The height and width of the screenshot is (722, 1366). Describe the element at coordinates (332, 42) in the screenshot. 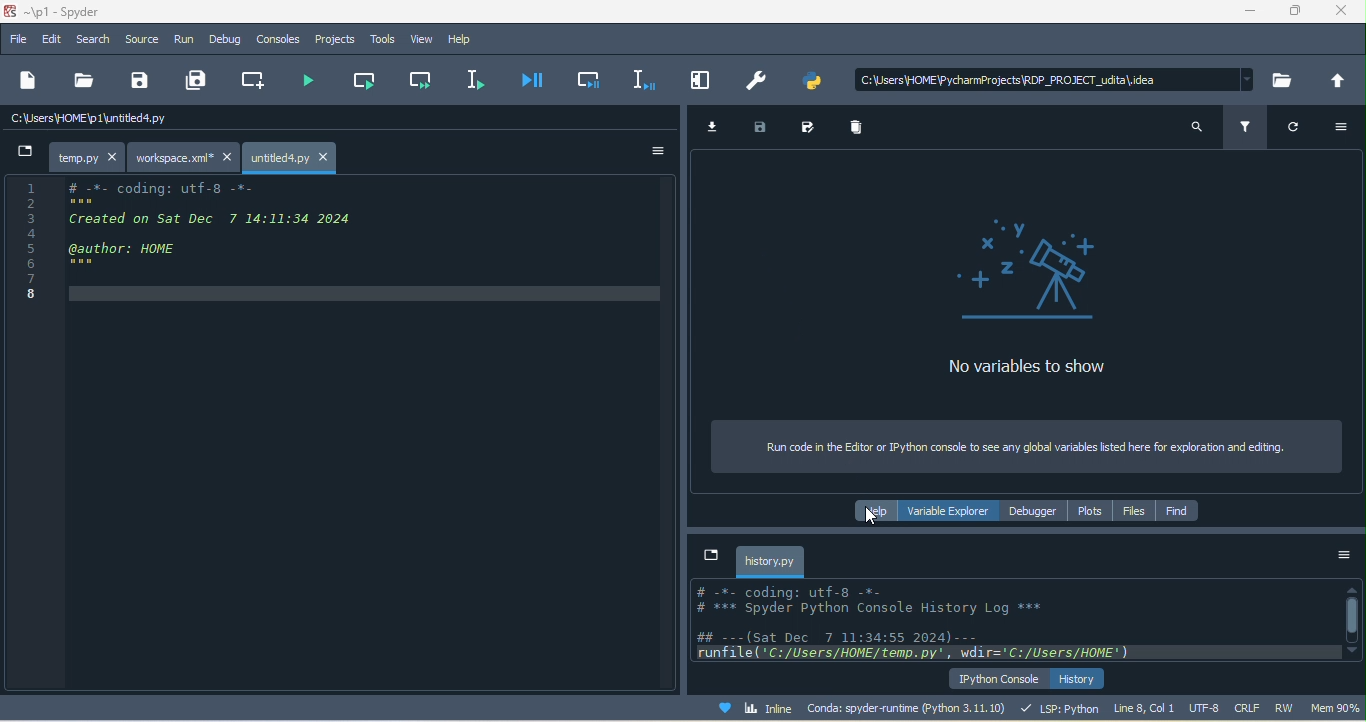

I see `projects` at that location.